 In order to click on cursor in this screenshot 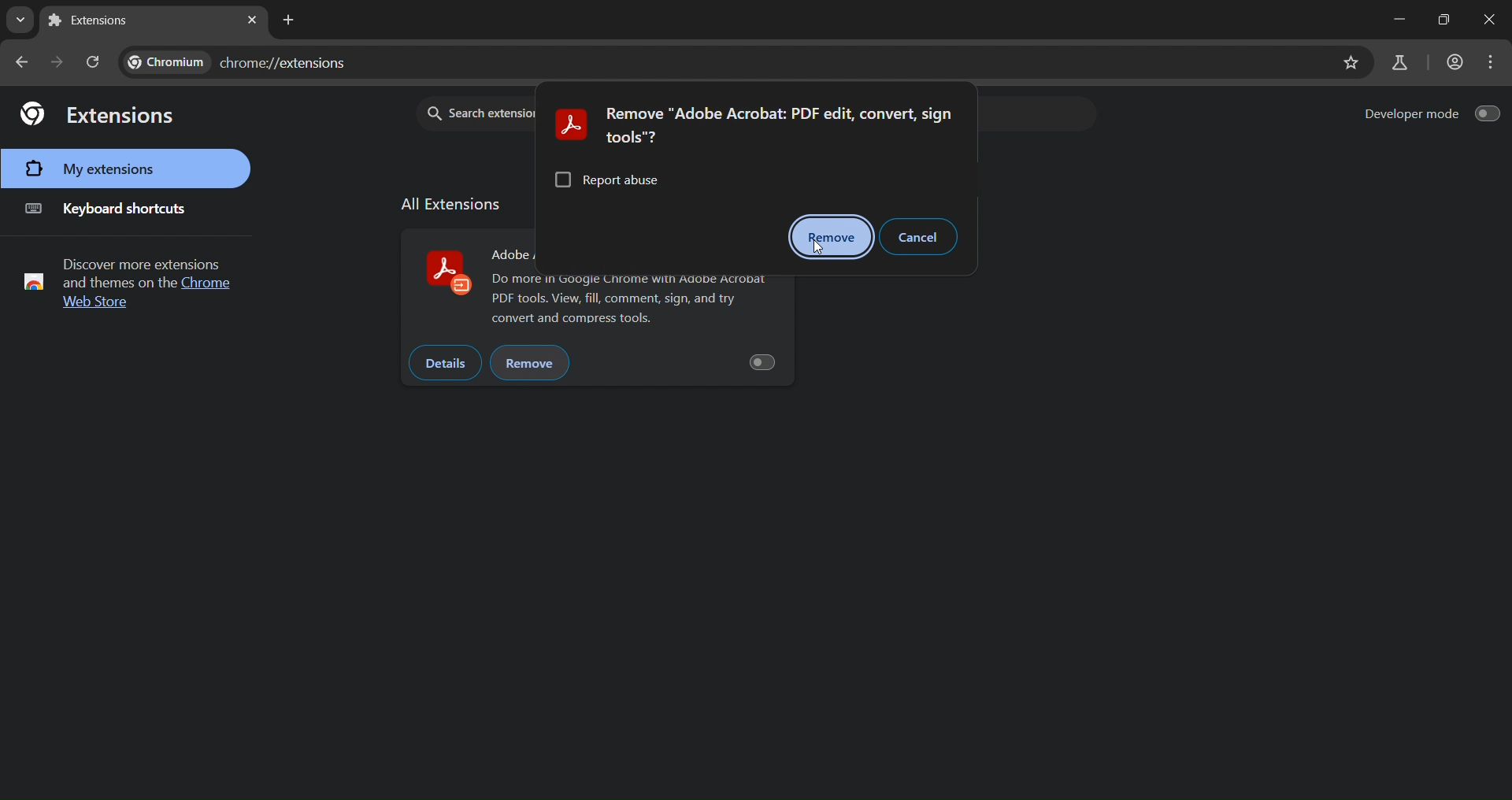, I will do `click(824, 251)`.